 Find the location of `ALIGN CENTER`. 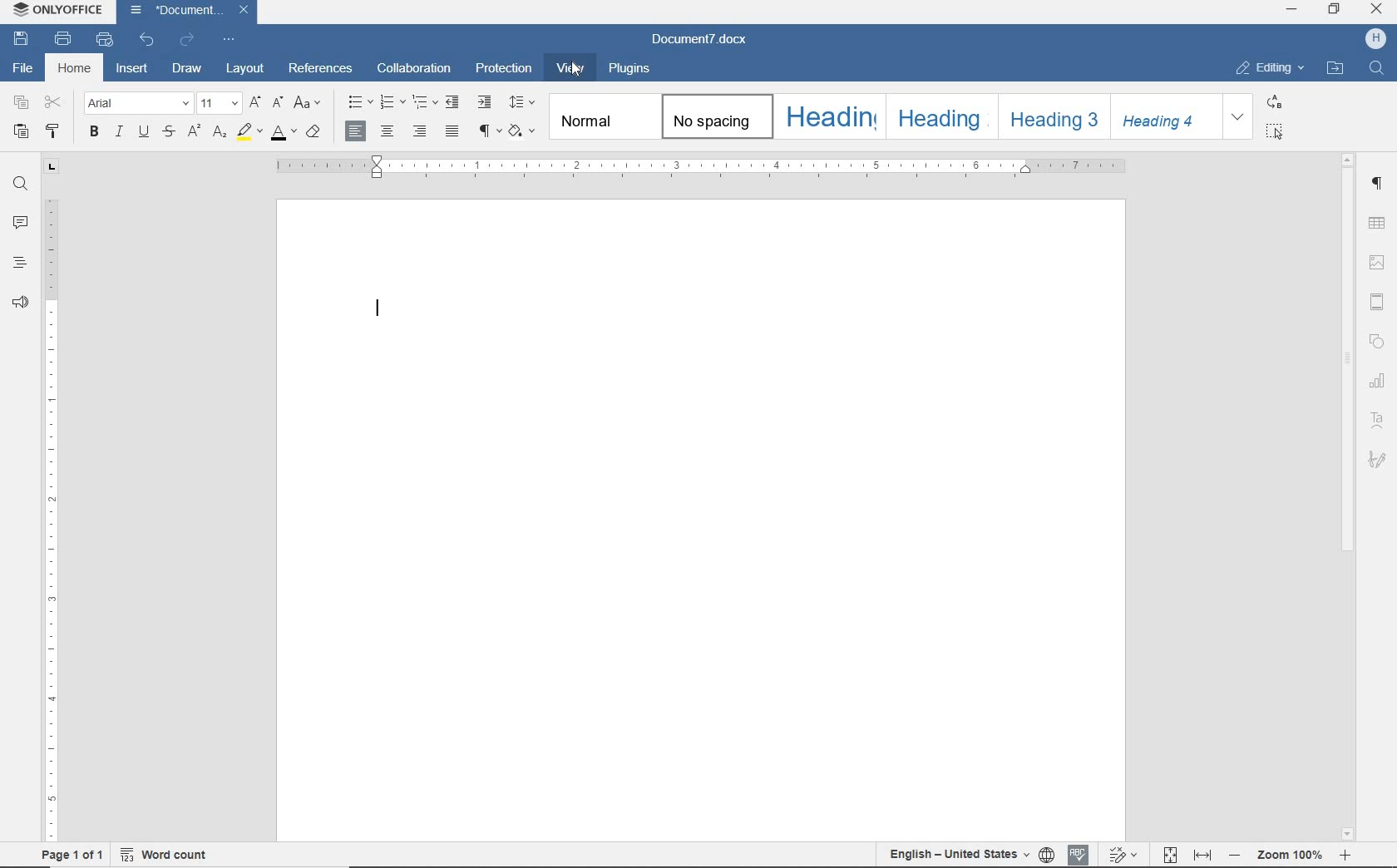

ALIGN CENTER is located at coordinates (387, 132).